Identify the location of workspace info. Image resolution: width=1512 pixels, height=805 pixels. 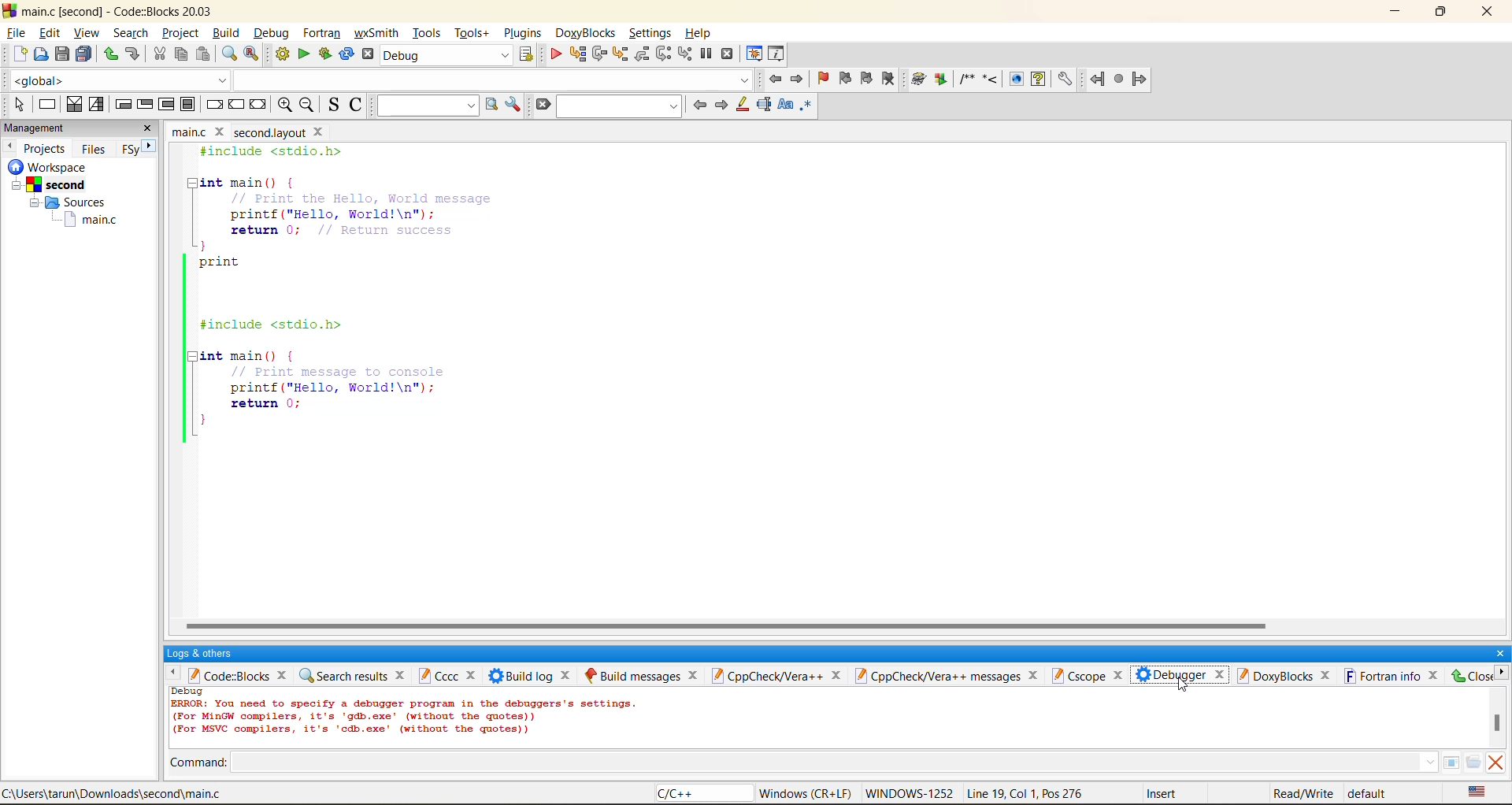
(67, 200).